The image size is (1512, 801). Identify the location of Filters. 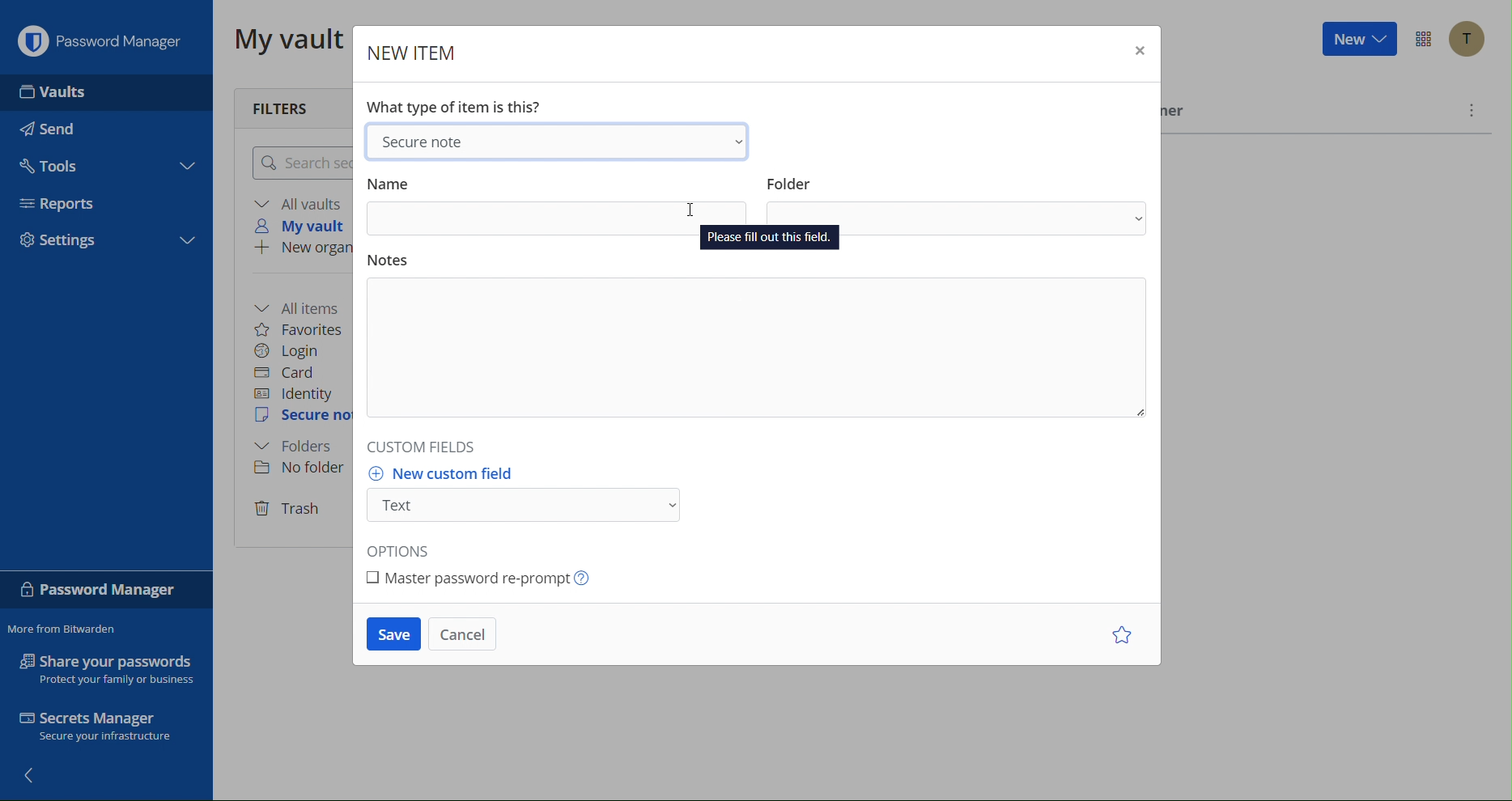
(291, 104).